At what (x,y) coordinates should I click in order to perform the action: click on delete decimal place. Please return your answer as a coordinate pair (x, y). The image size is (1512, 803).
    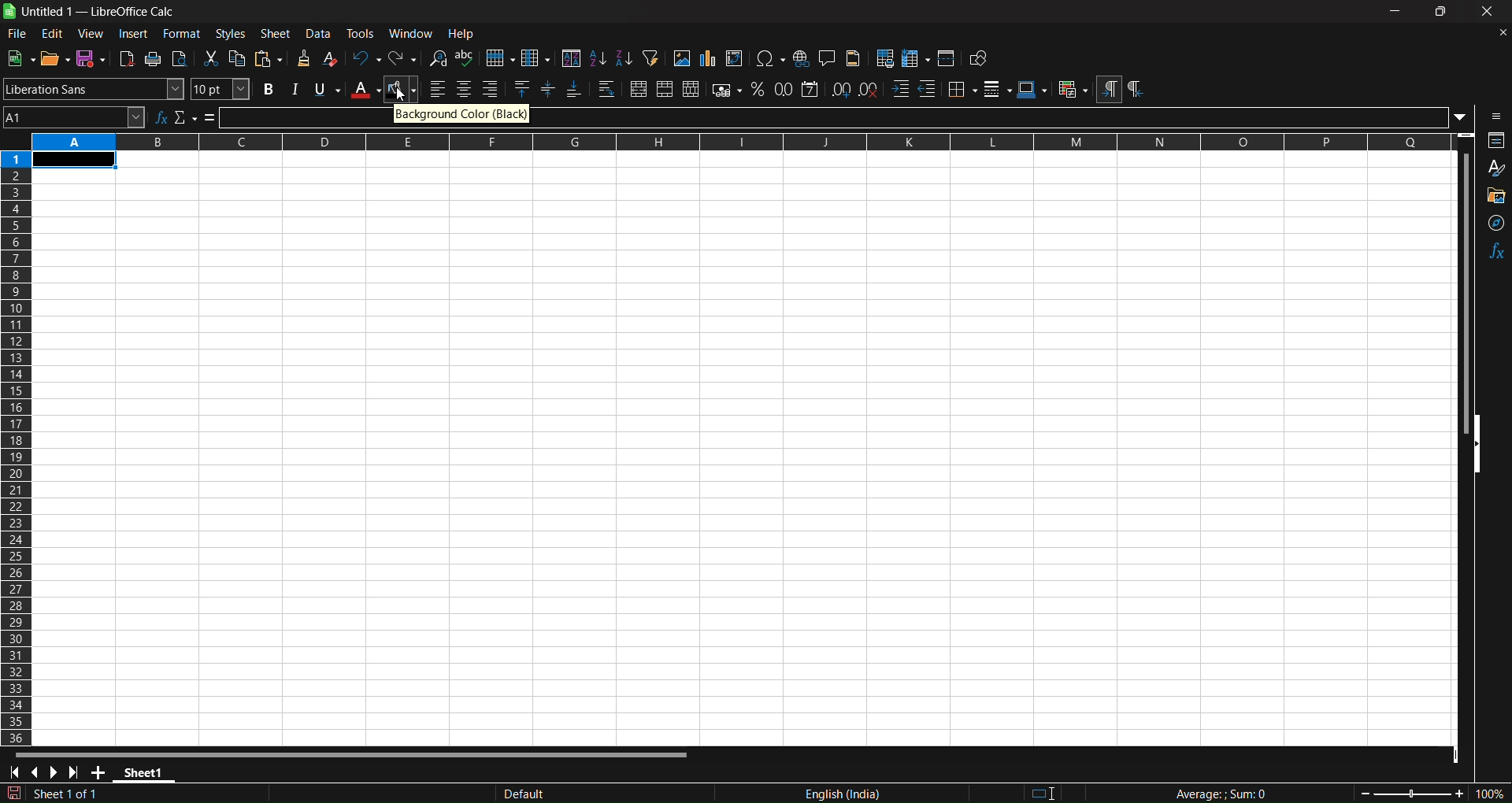
    Looking at the image, I should click on (869, 89).